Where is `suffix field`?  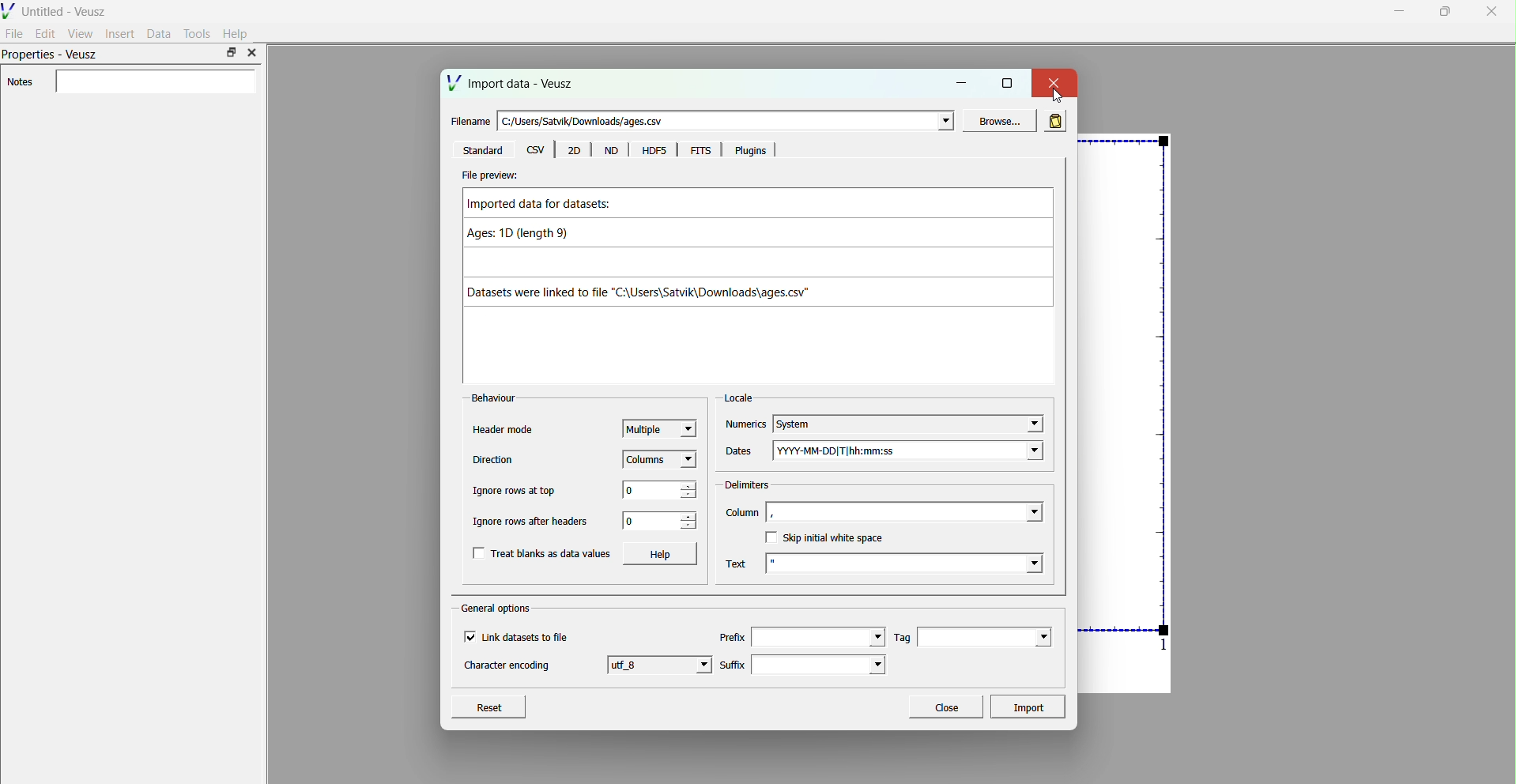
suffix field is located at coordinates (820, 665).